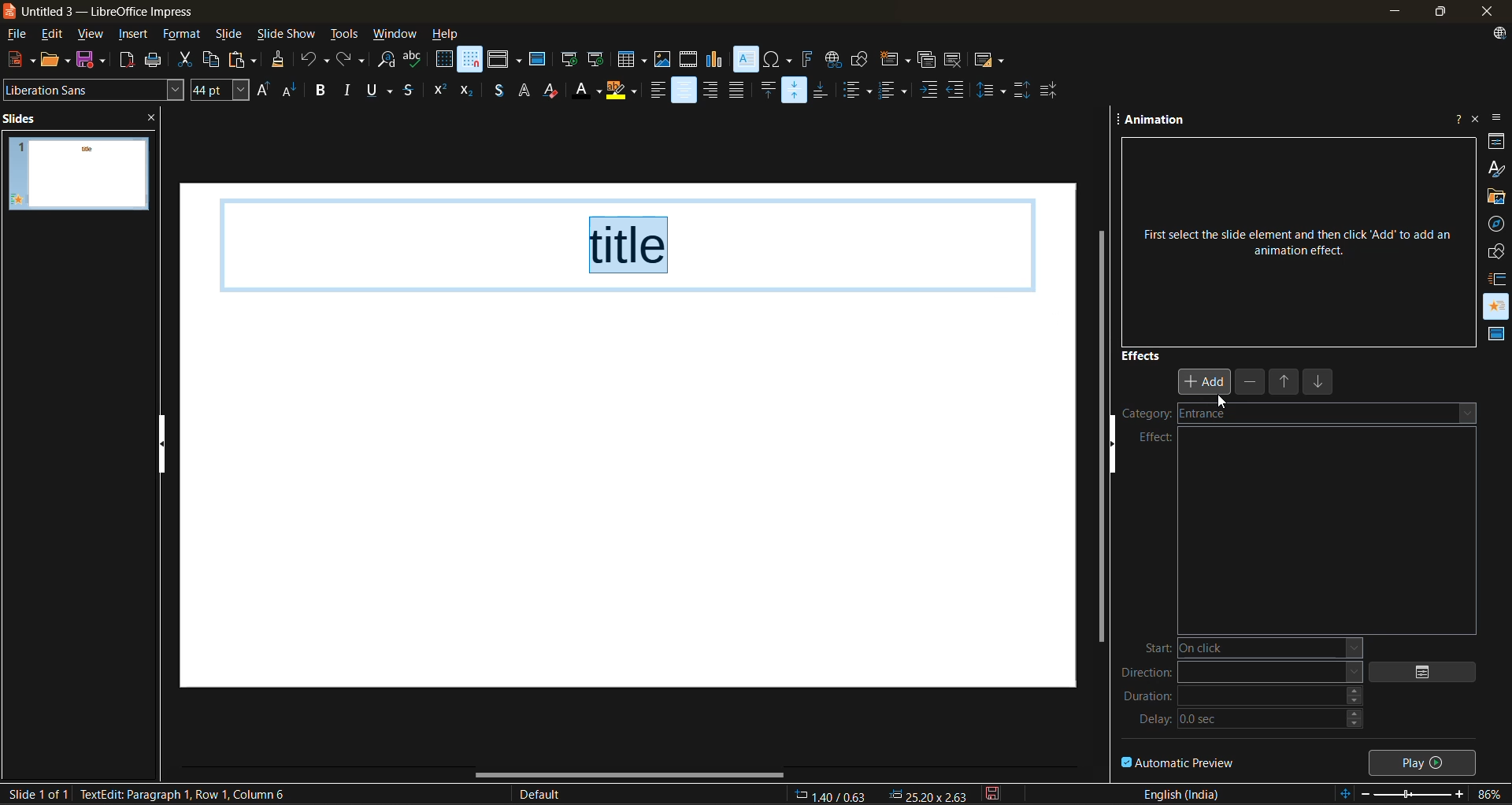  Describe the element at coordinates (498, 92) in the screenshot. I see `toggle shadow` at that location.